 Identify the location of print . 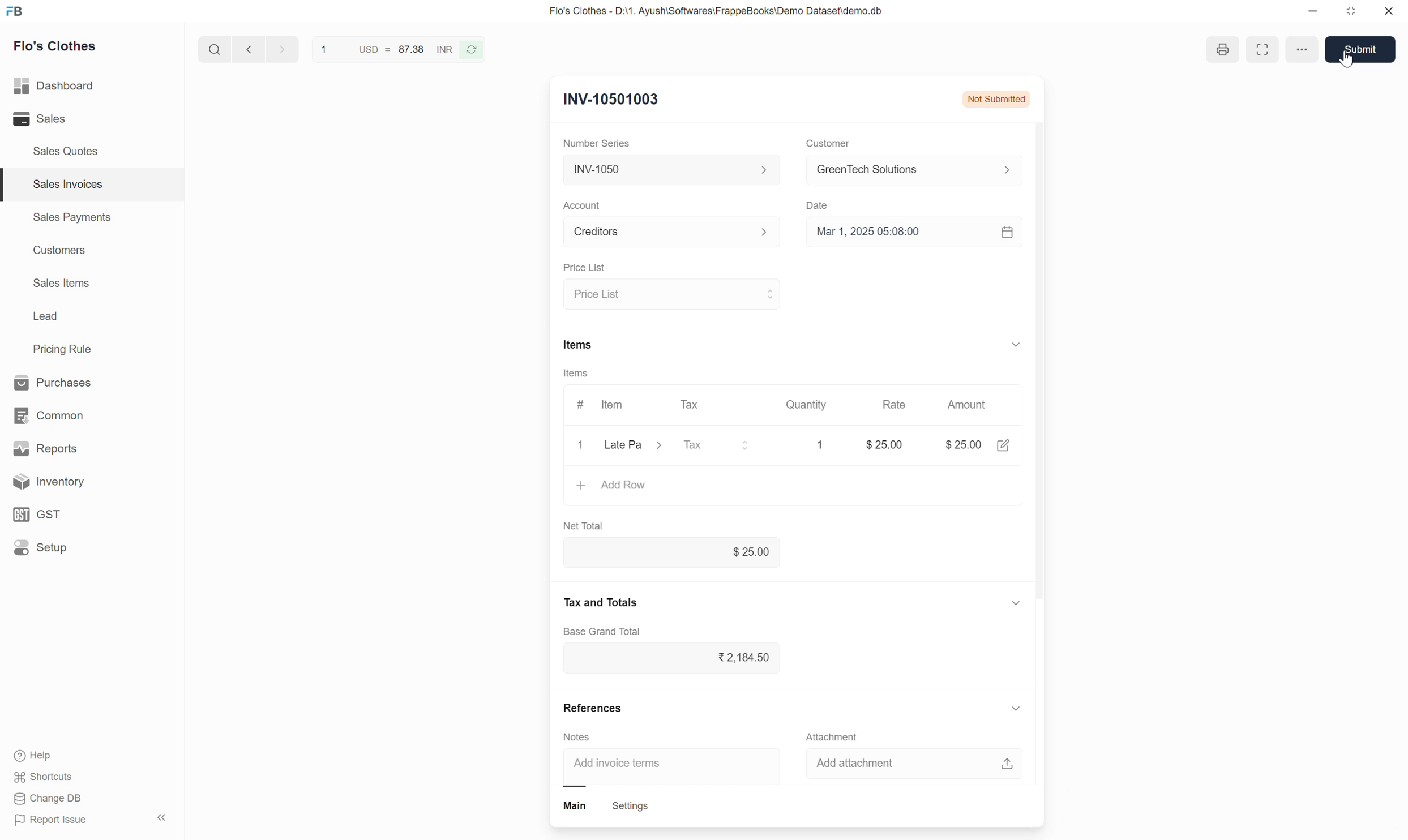
(1227, 51).